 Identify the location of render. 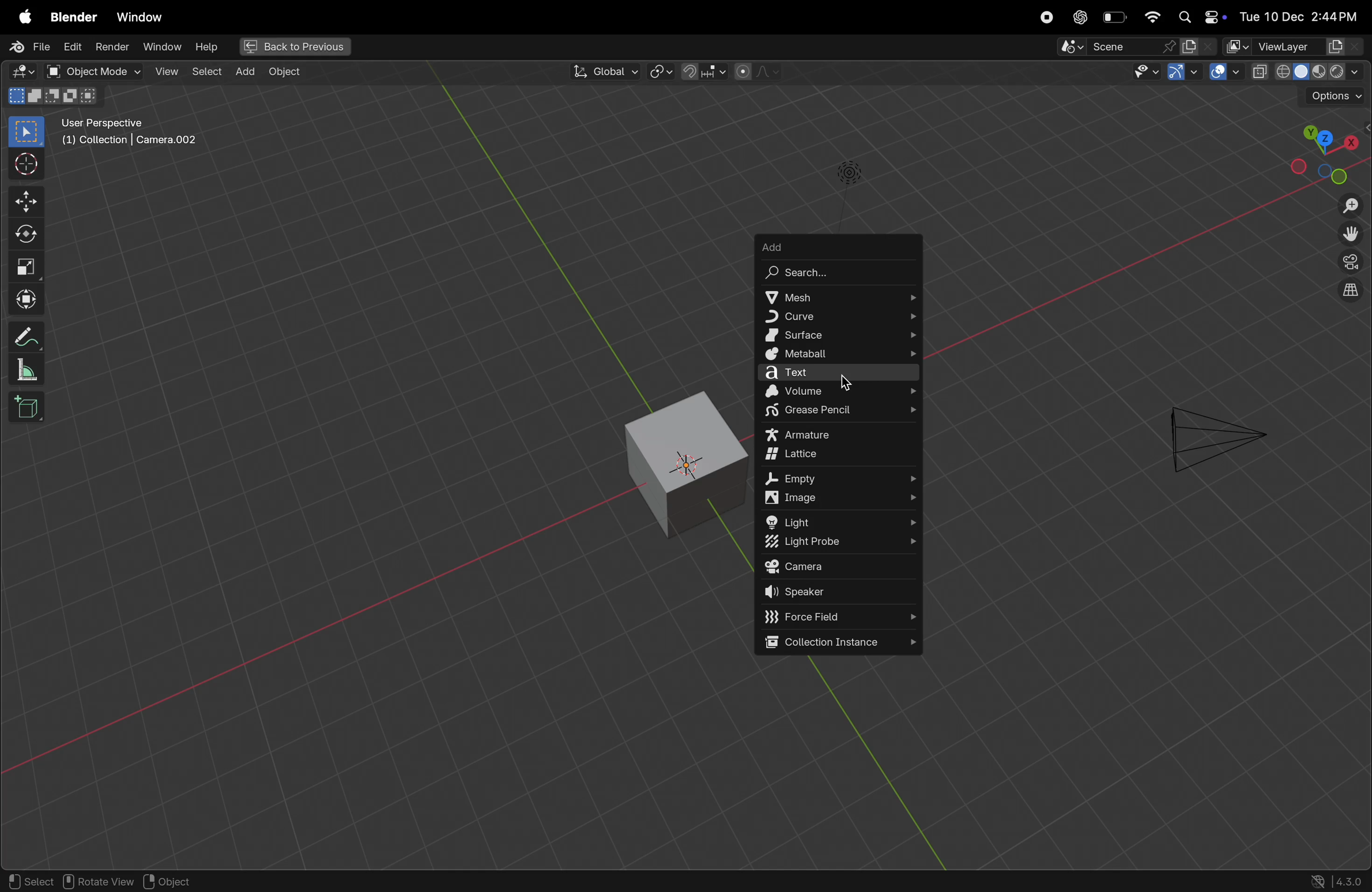
(112, 47).